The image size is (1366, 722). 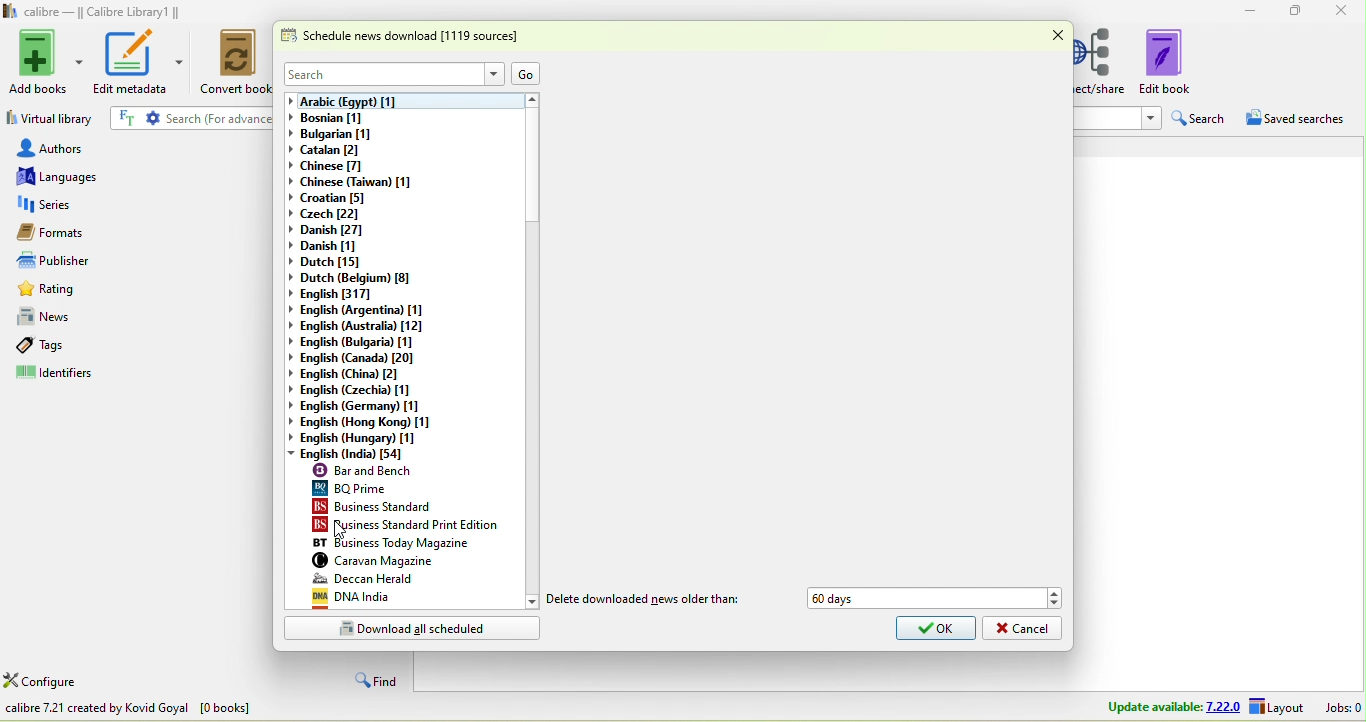 What do you see at coordinates (140, 177) in the screenshot?
I see `languages` at bounding box center [140, 177].